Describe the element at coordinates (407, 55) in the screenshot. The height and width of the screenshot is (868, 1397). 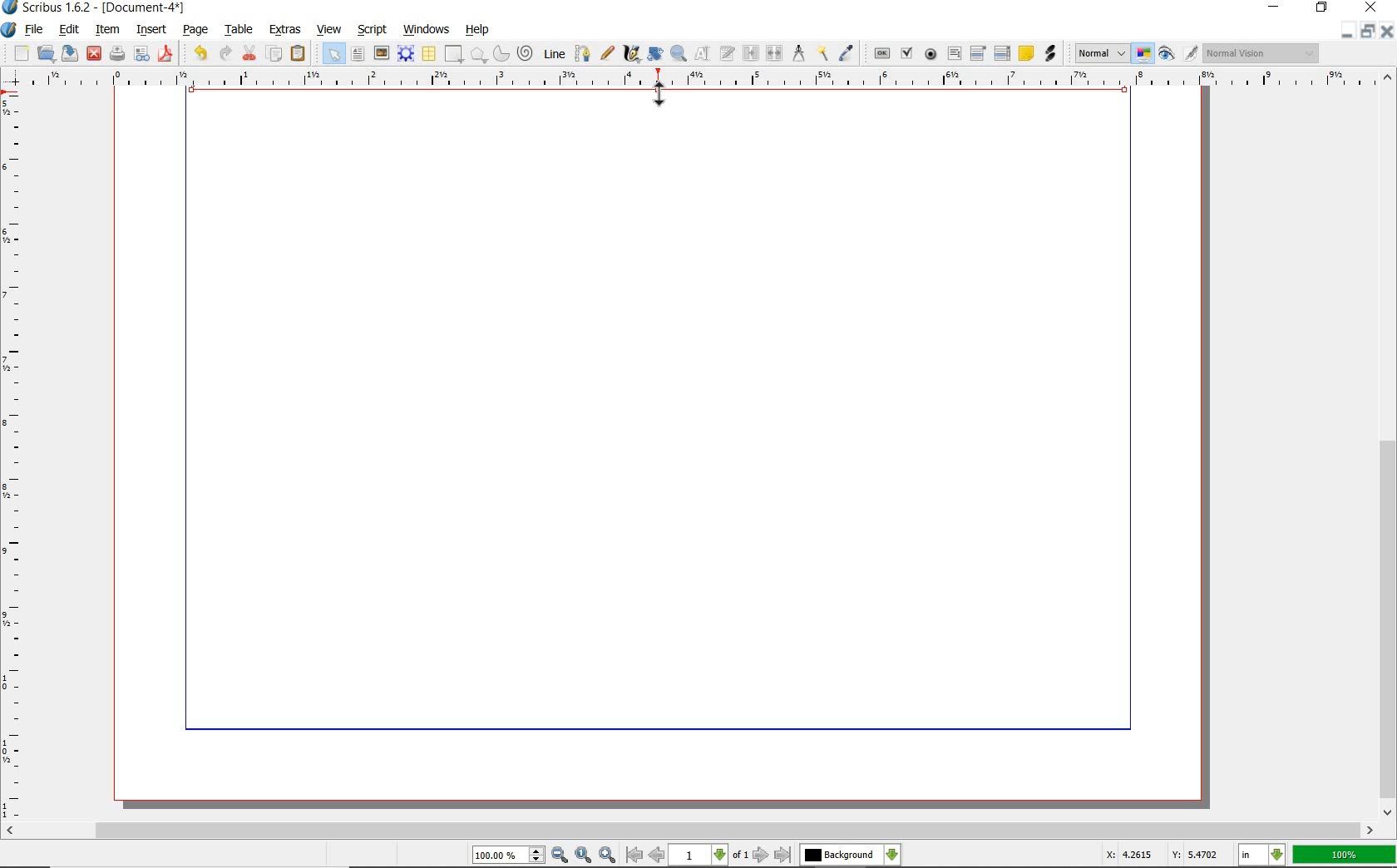
I see `render frame` at that location.